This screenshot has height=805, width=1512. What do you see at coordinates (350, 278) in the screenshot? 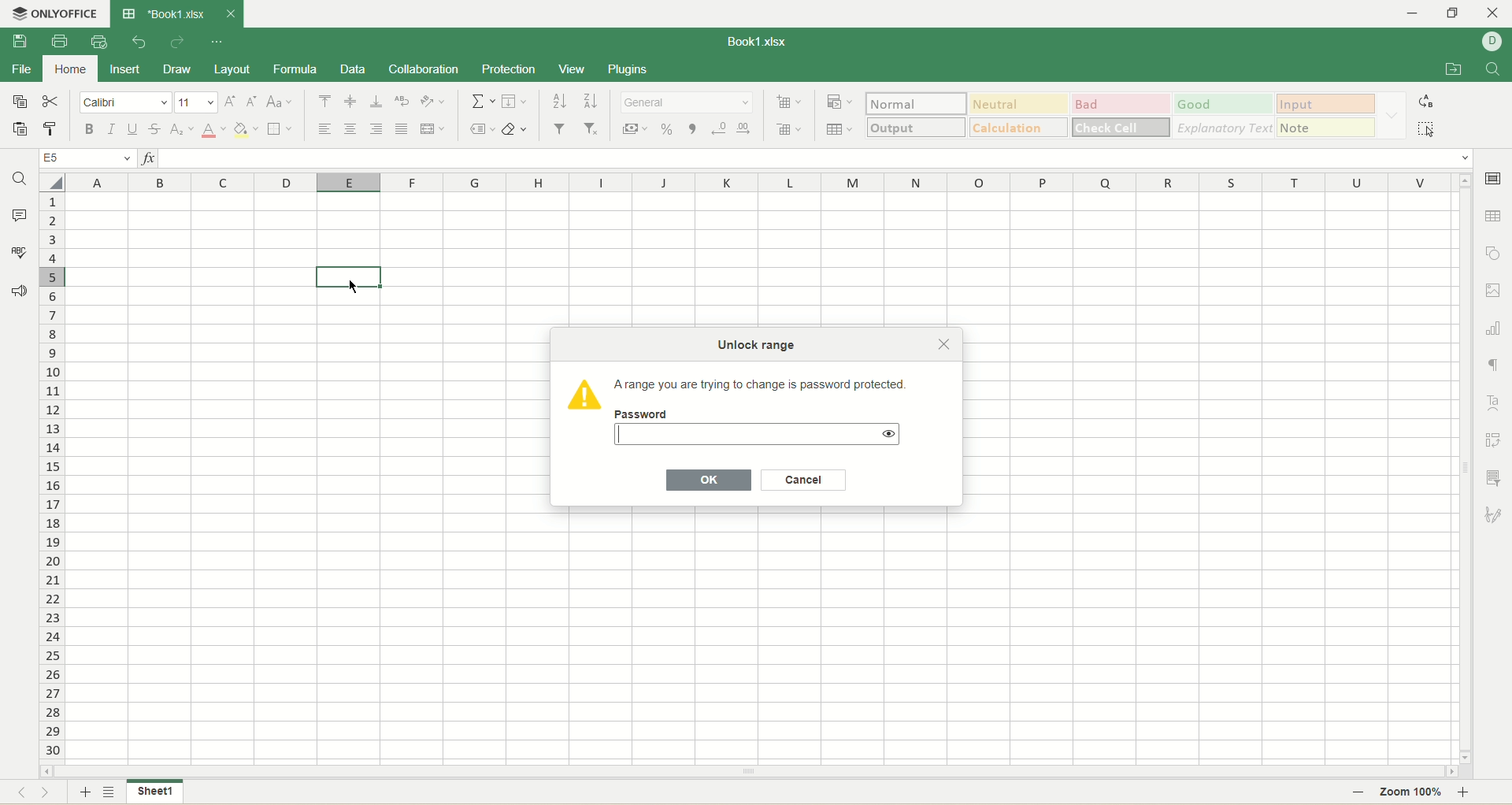
I see `active cell` at bounding box center [350, 278].